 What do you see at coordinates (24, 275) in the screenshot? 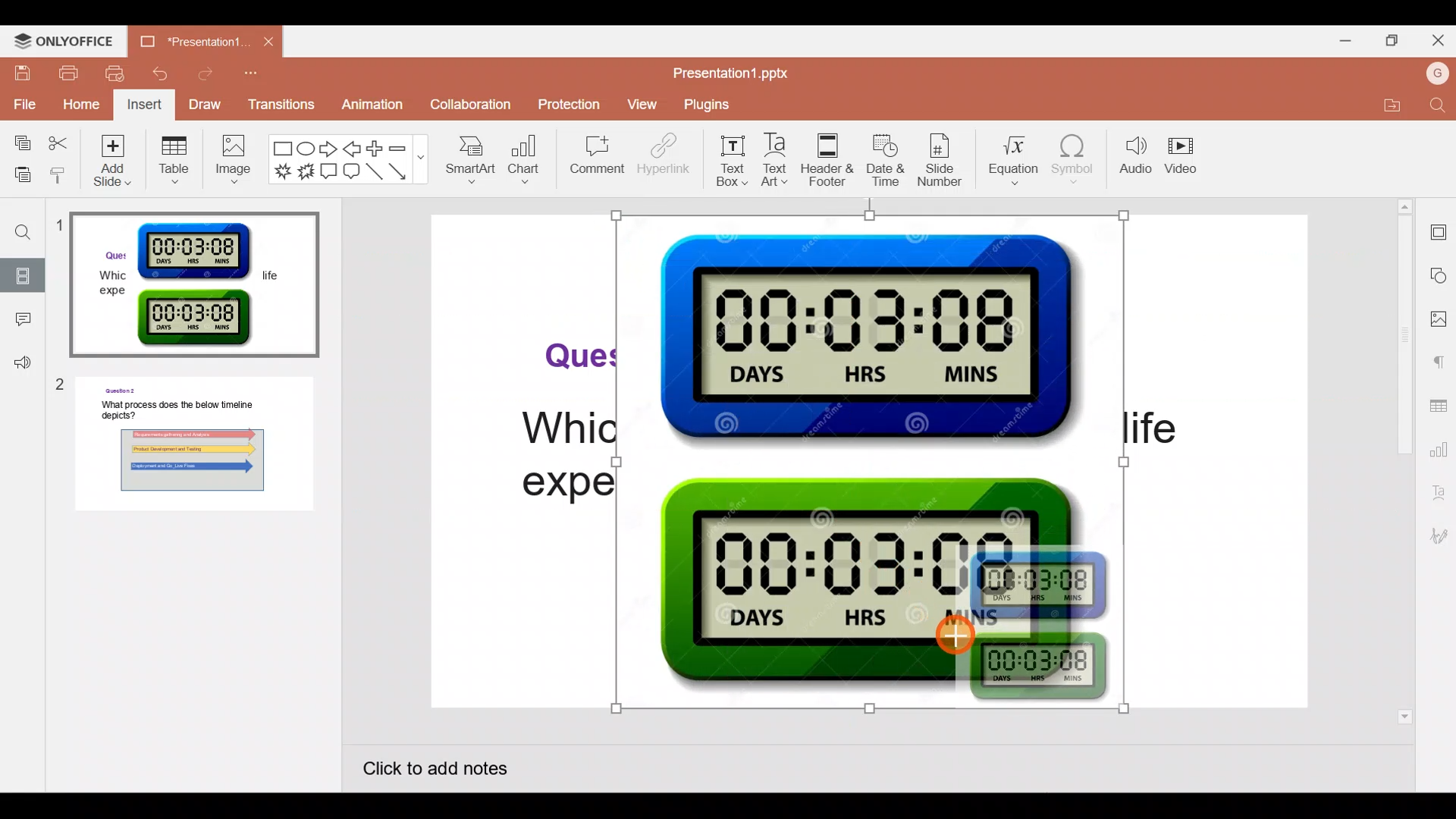
I see `Slides` at bounding box center [24, 275].